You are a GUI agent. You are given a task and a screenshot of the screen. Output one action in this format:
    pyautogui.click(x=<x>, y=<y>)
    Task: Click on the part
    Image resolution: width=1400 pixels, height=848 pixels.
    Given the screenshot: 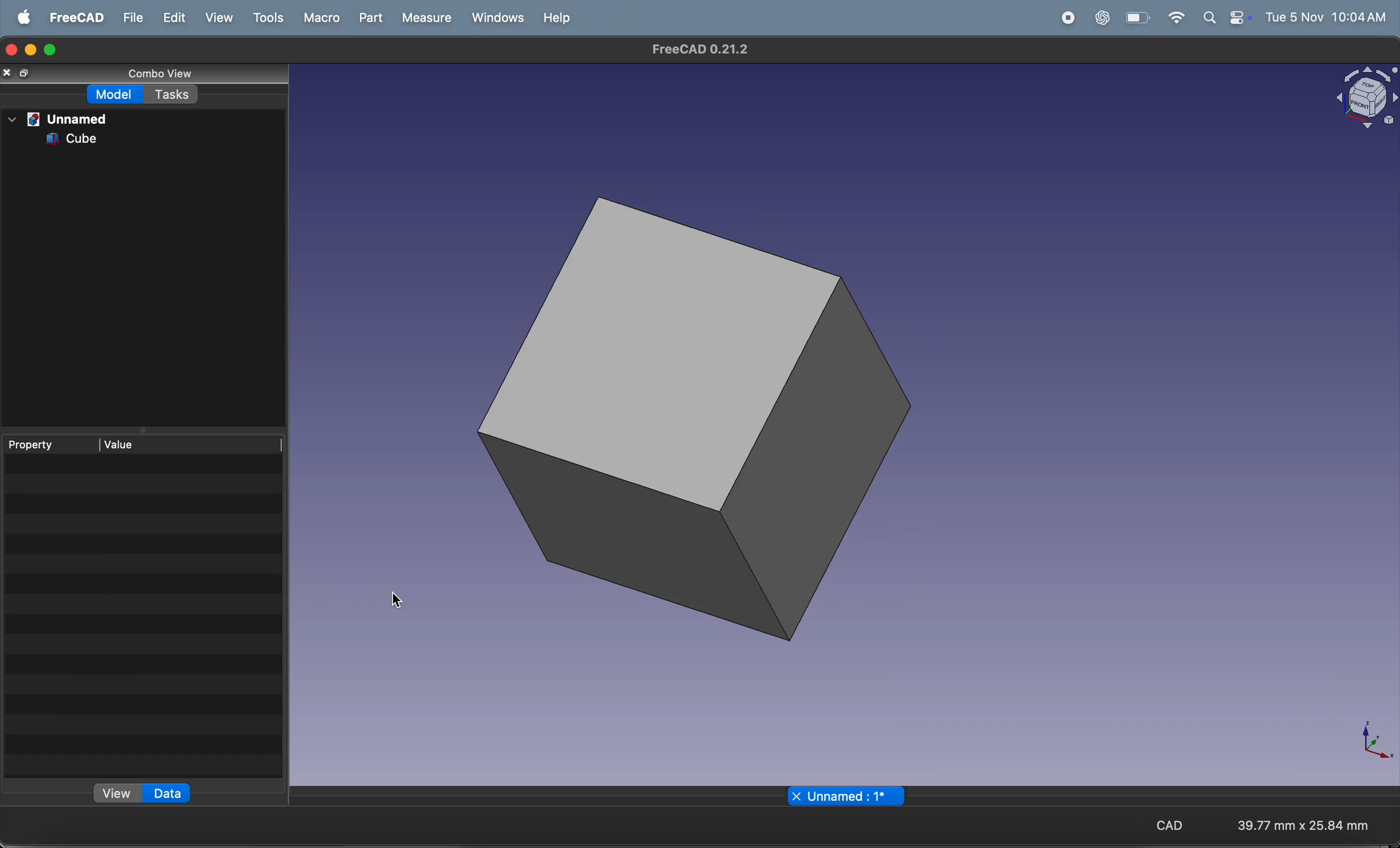 What is the action you would take?
    pyautogui.click(x=370, y=18)
    